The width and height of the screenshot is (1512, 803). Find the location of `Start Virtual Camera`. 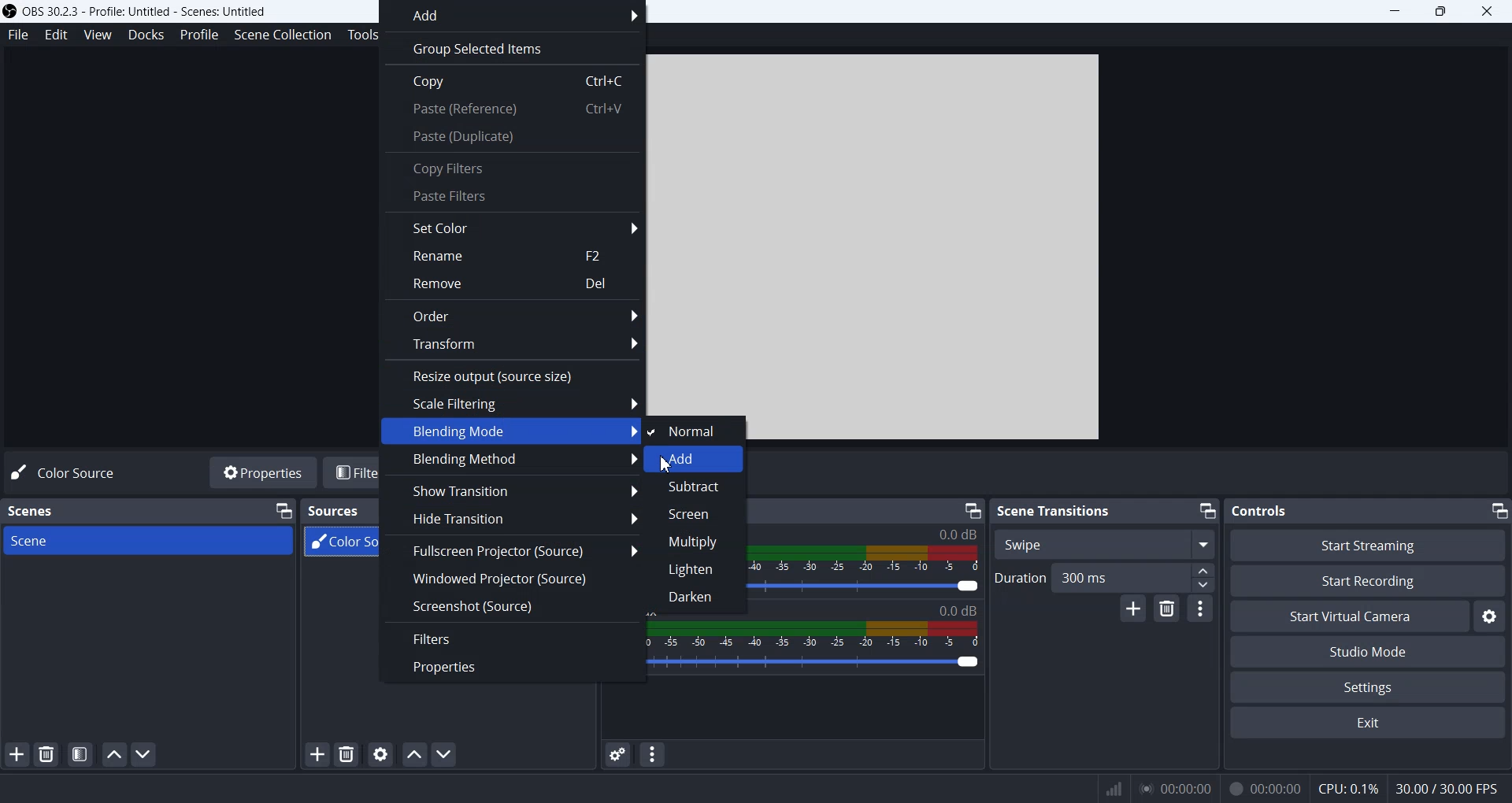

Start Virtual Camera is located at coordinates (1349, 616).